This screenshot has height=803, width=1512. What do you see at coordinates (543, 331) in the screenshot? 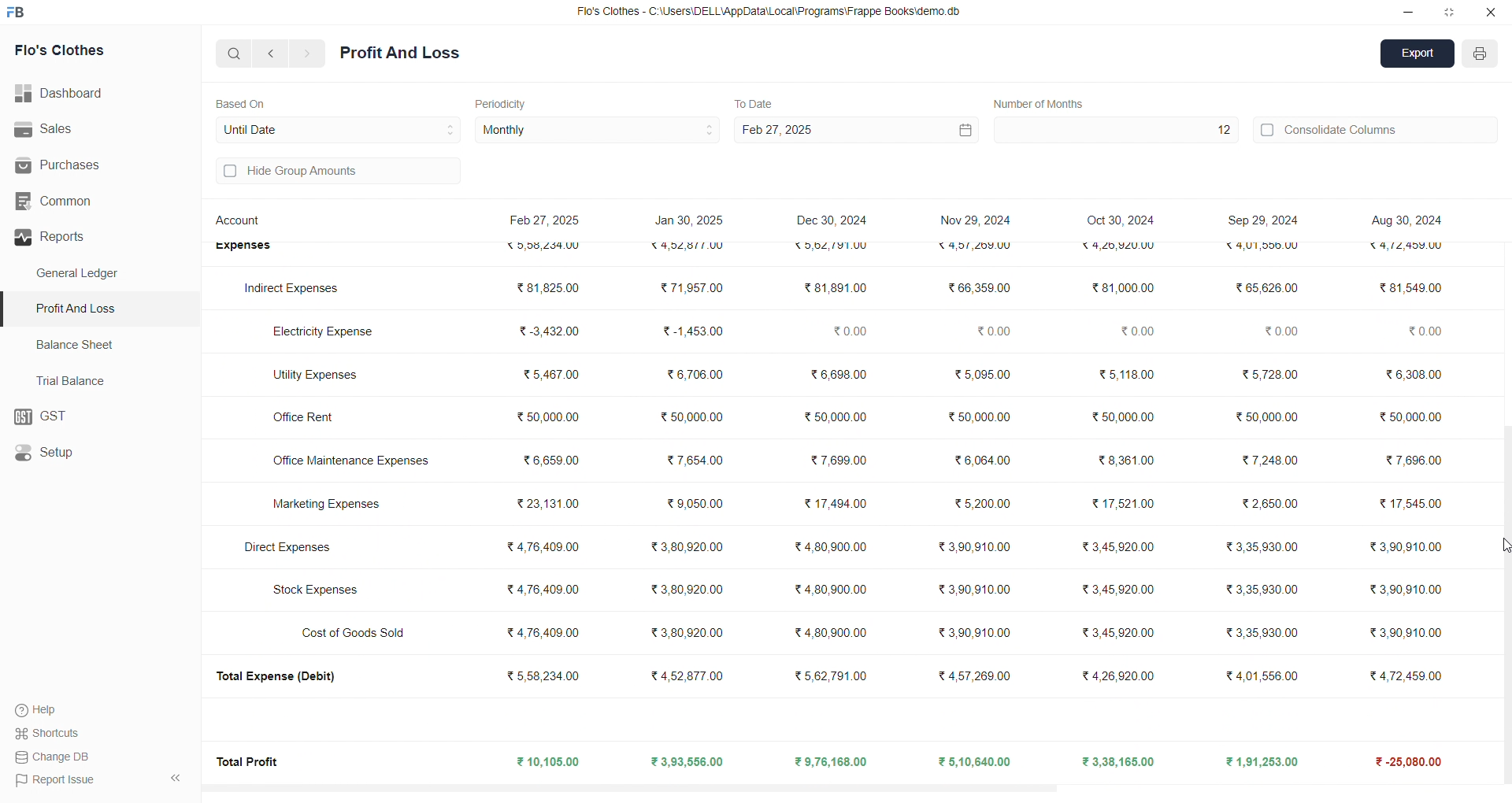
I see `₹3,432.00` at bounding box center [543, 331].